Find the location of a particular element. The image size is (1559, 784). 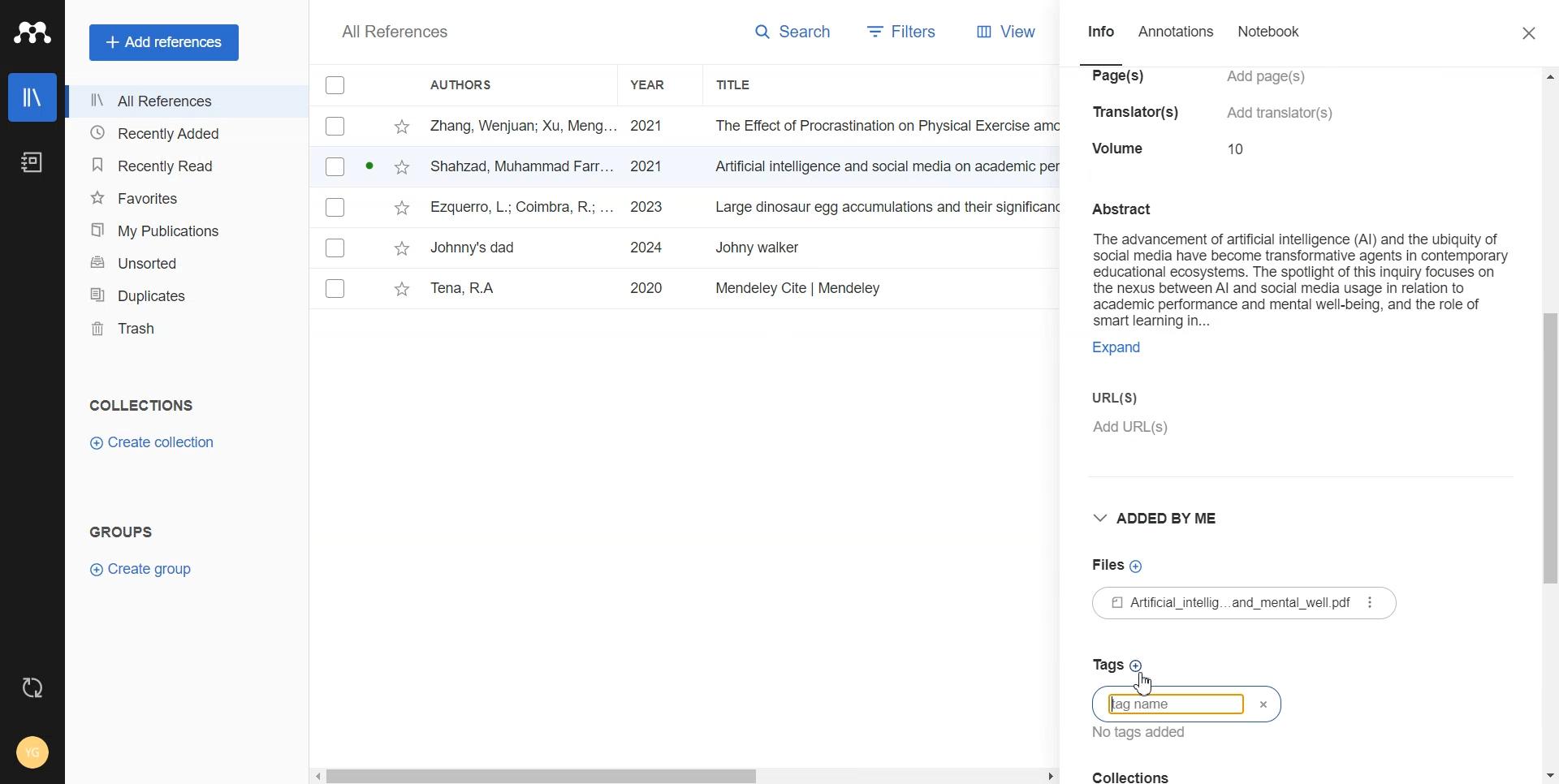

Collection is located at coordinates (143, 405).